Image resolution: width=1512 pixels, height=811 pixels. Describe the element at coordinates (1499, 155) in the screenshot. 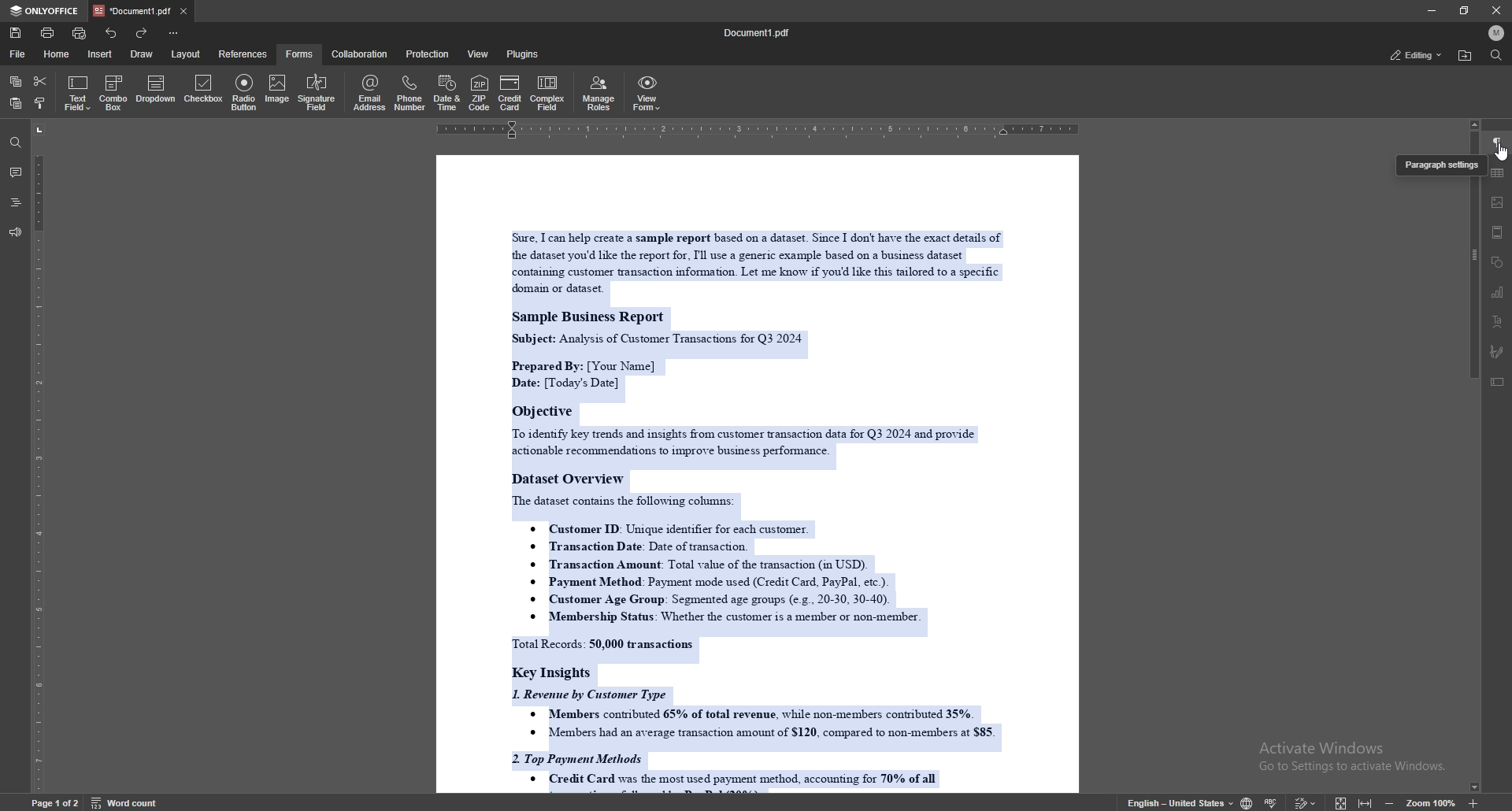

I see `cursor` at that location.